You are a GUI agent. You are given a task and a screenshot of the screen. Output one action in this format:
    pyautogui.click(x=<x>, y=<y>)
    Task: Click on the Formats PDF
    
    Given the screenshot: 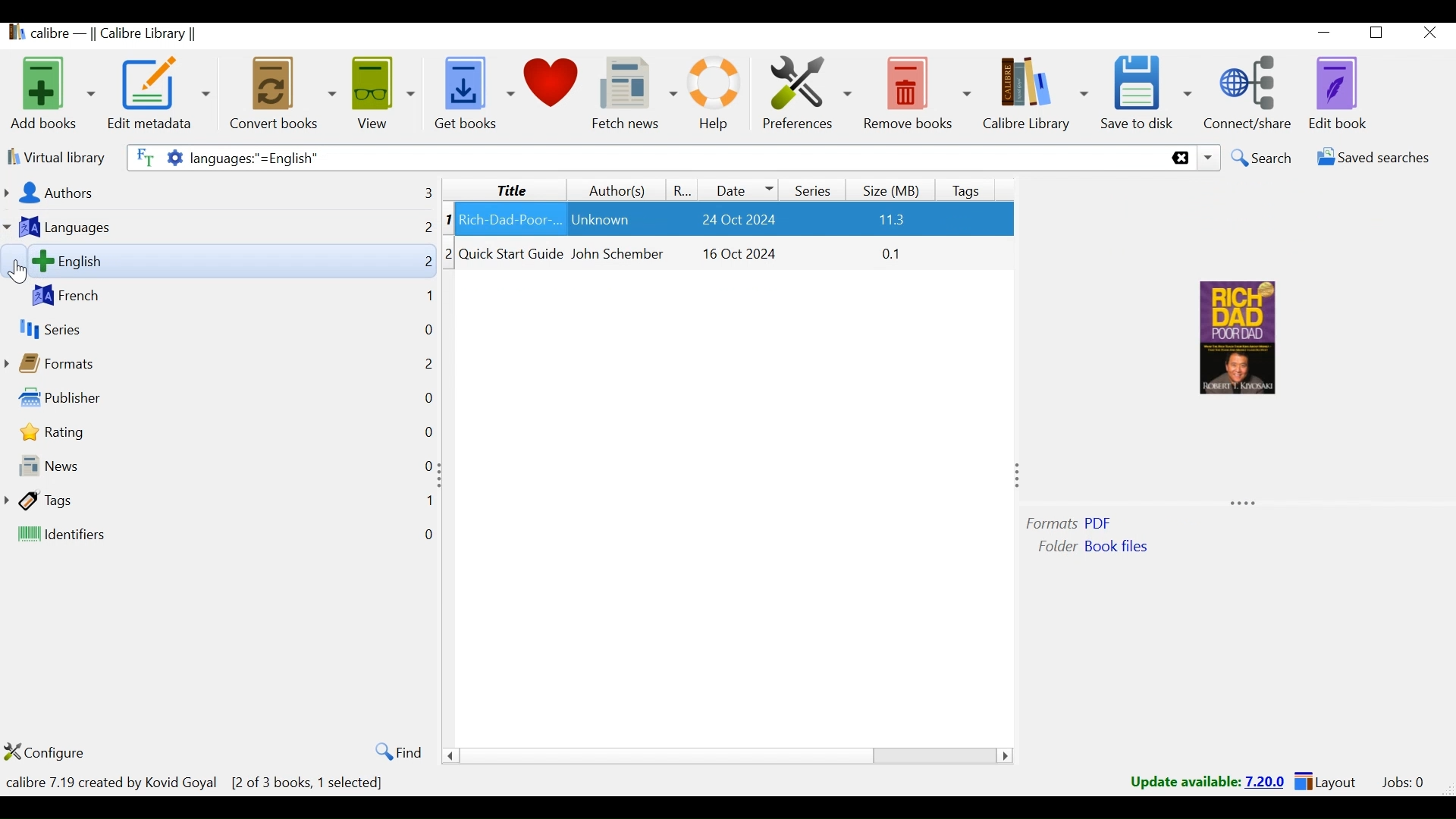 What is the action you would take?
    pyautogui.click(x=1075, y=521)
    